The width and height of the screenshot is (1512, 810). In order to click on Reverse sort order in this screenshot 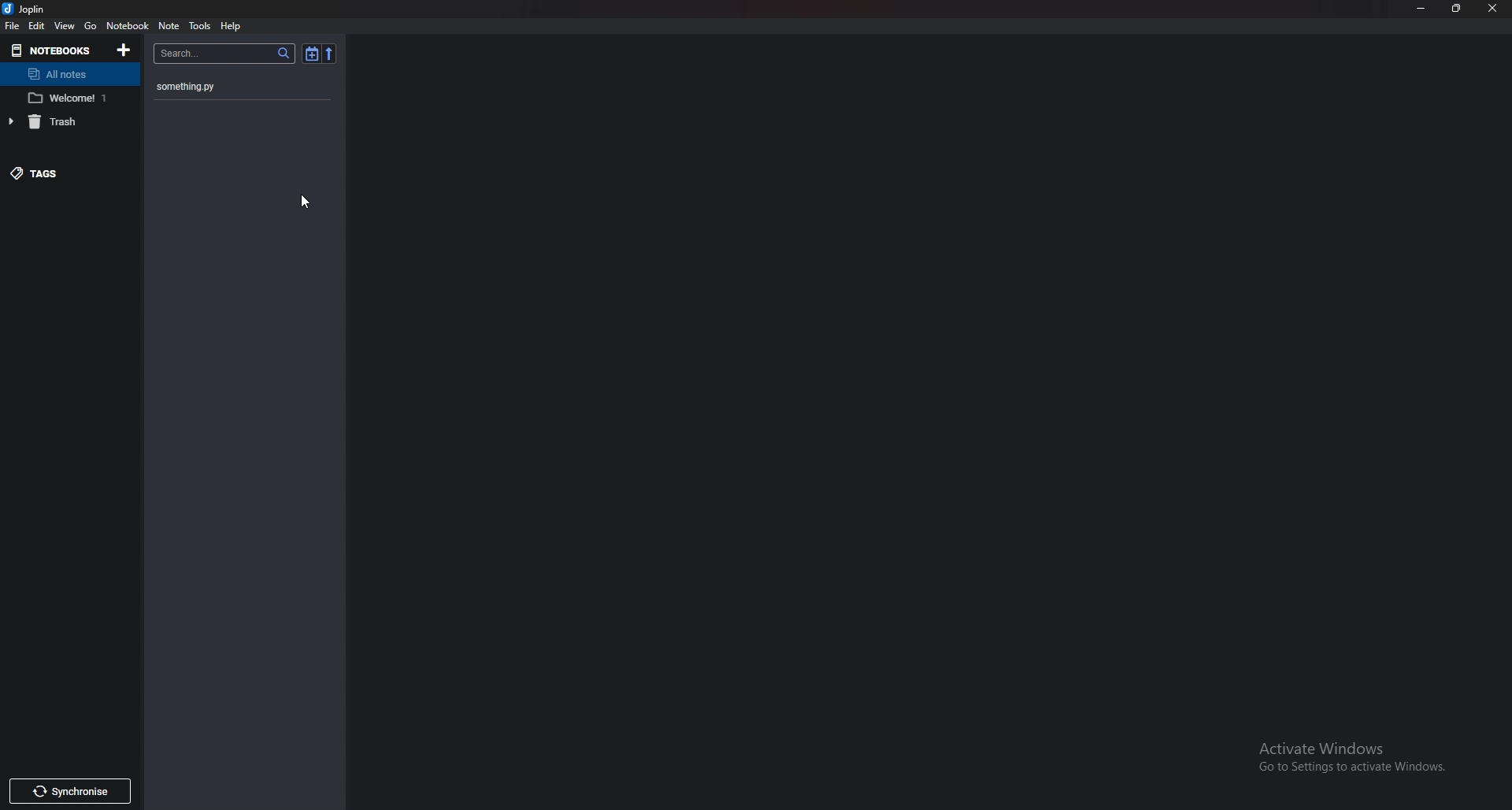, I will do `click(329, 54)`.